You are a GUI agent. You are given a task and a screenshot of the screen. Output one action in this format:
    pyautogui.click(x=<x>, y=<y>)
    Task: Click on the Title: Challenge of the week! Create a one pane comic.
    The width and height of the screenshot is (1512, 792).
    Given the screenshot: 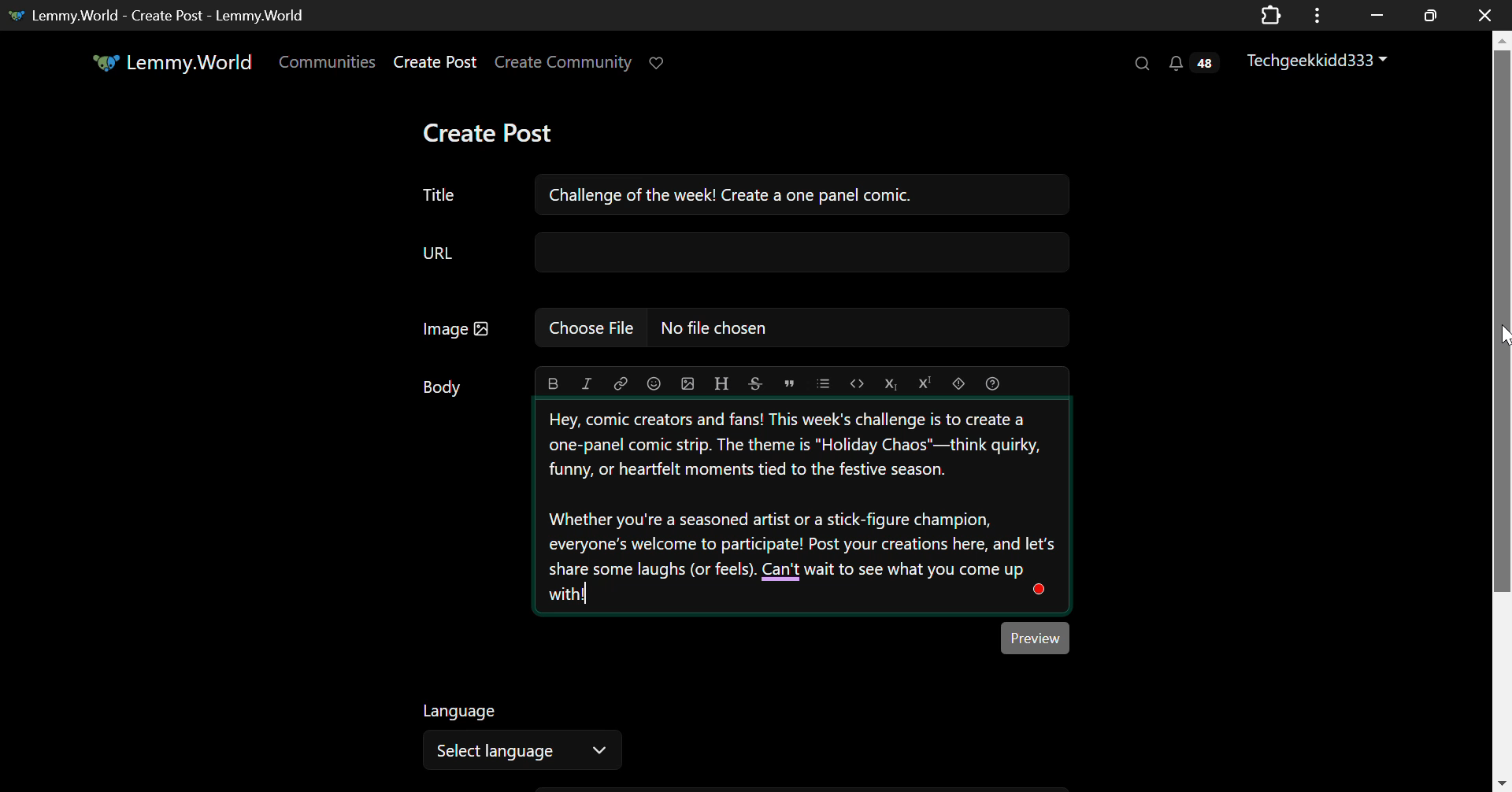 What is the action you would take?
    pyautogui.click(x=745, y=192)
    